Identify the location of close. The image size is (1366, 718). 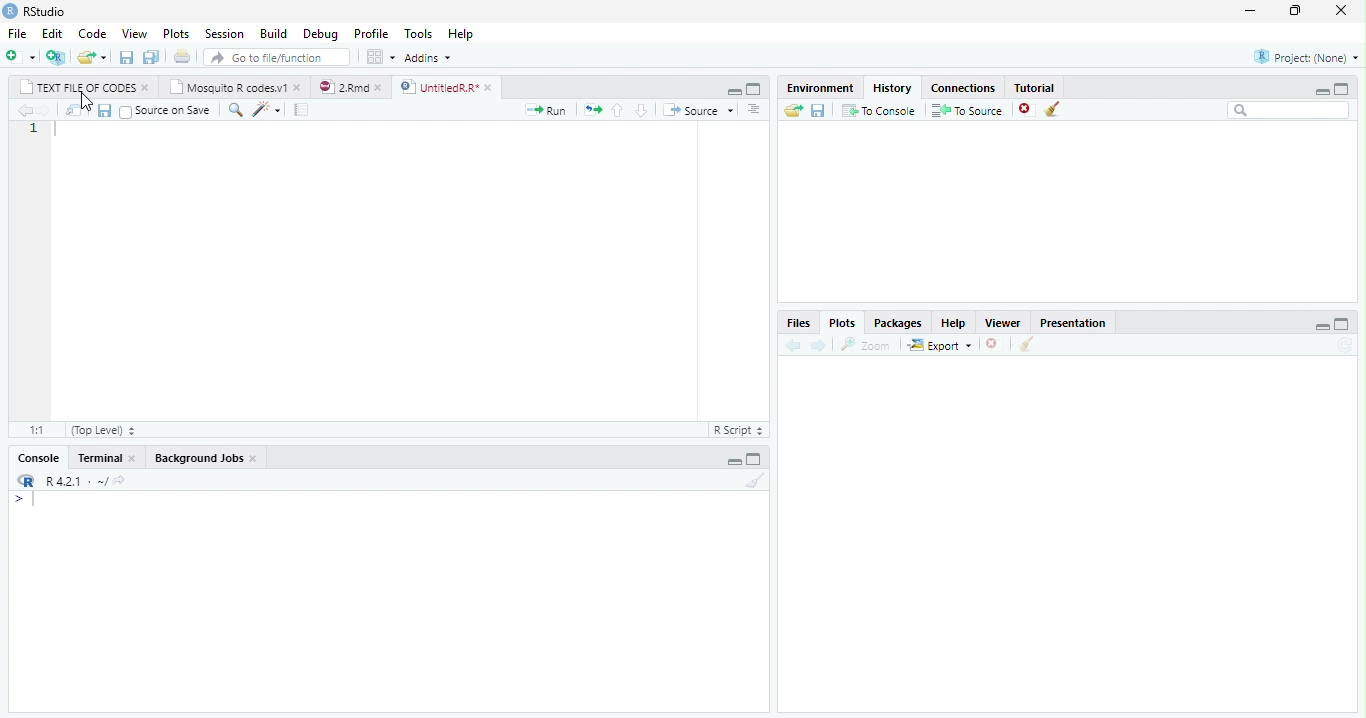
(992, 343).